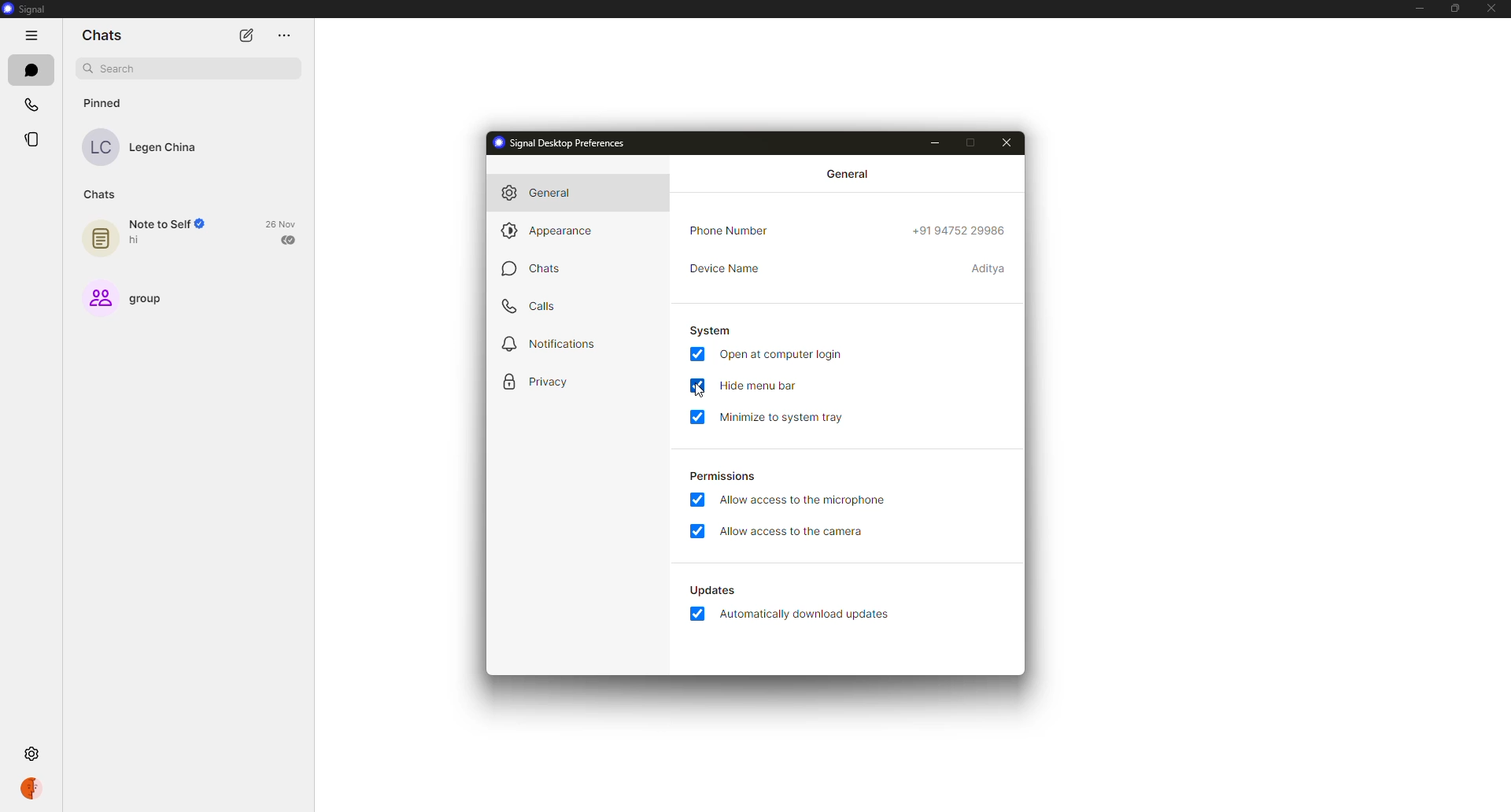  I want to click on pinned, so click(102, 103).